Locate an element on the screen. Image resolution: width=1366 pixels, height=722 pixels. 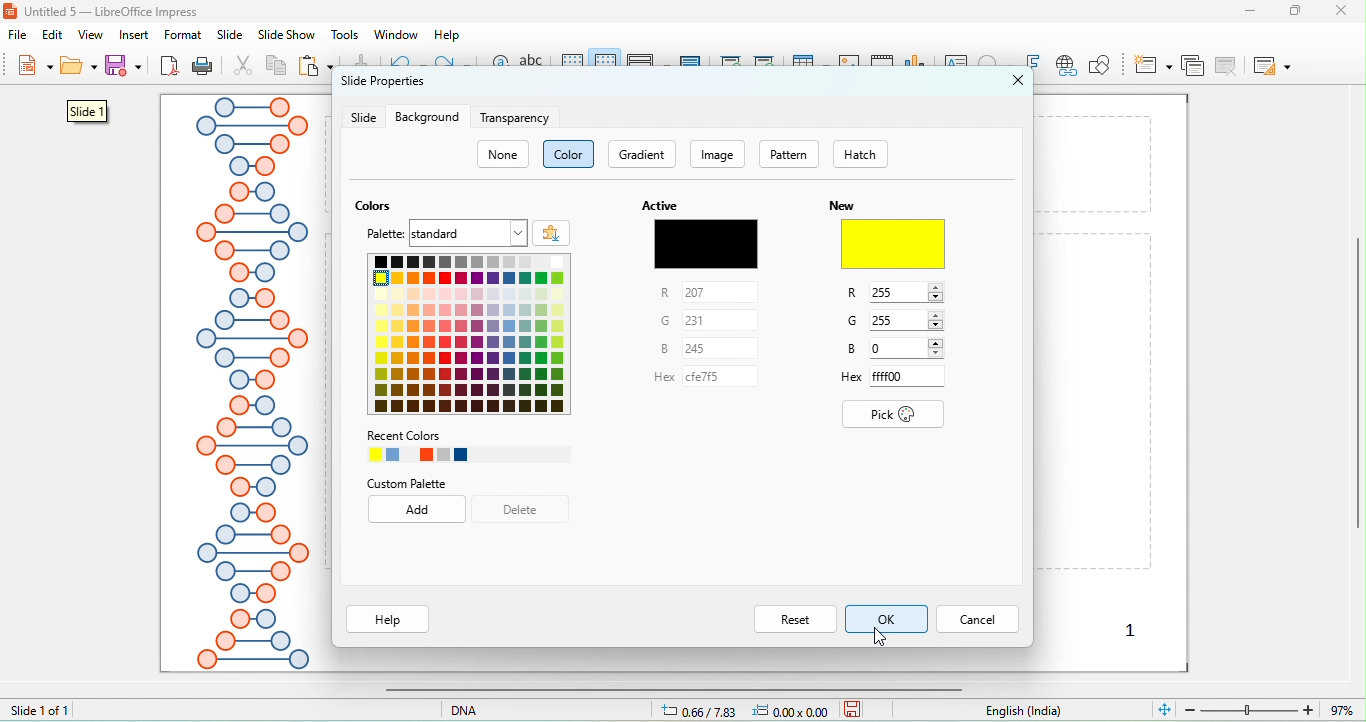
print is located at coordinates (202, 67).